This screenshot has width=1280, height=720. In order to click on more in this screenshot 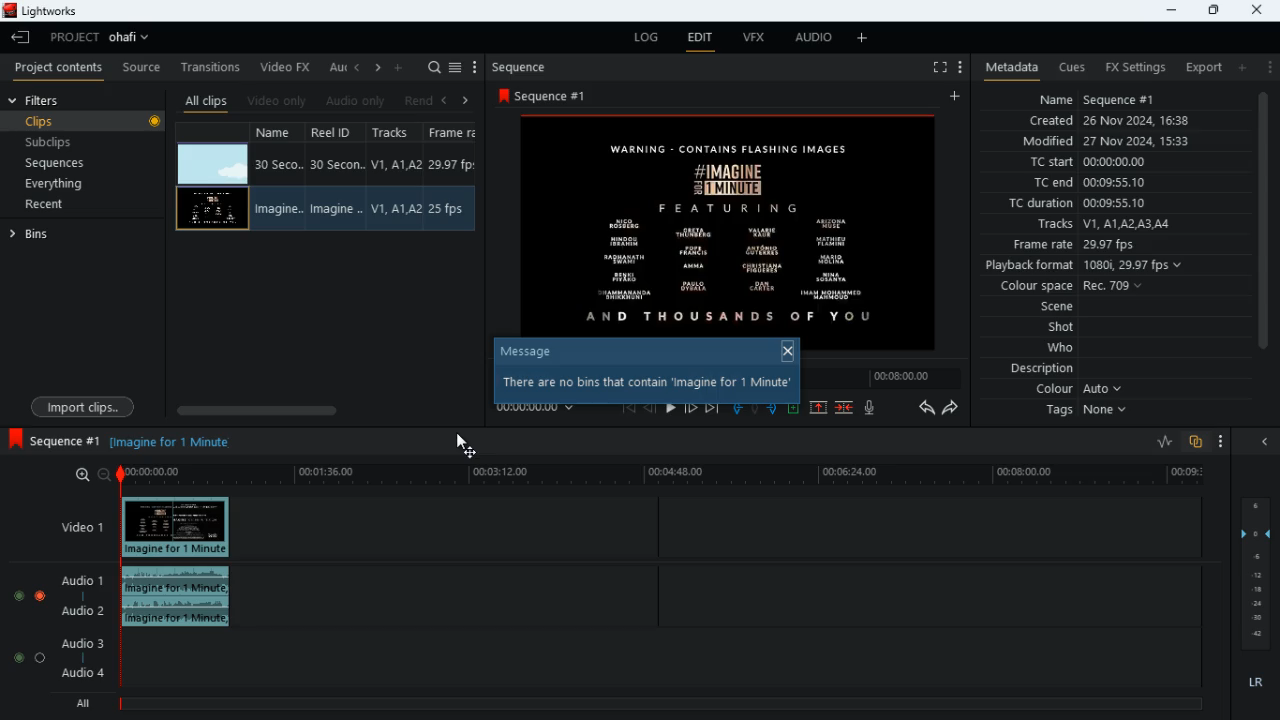, I will do `click(1270, 67)`.